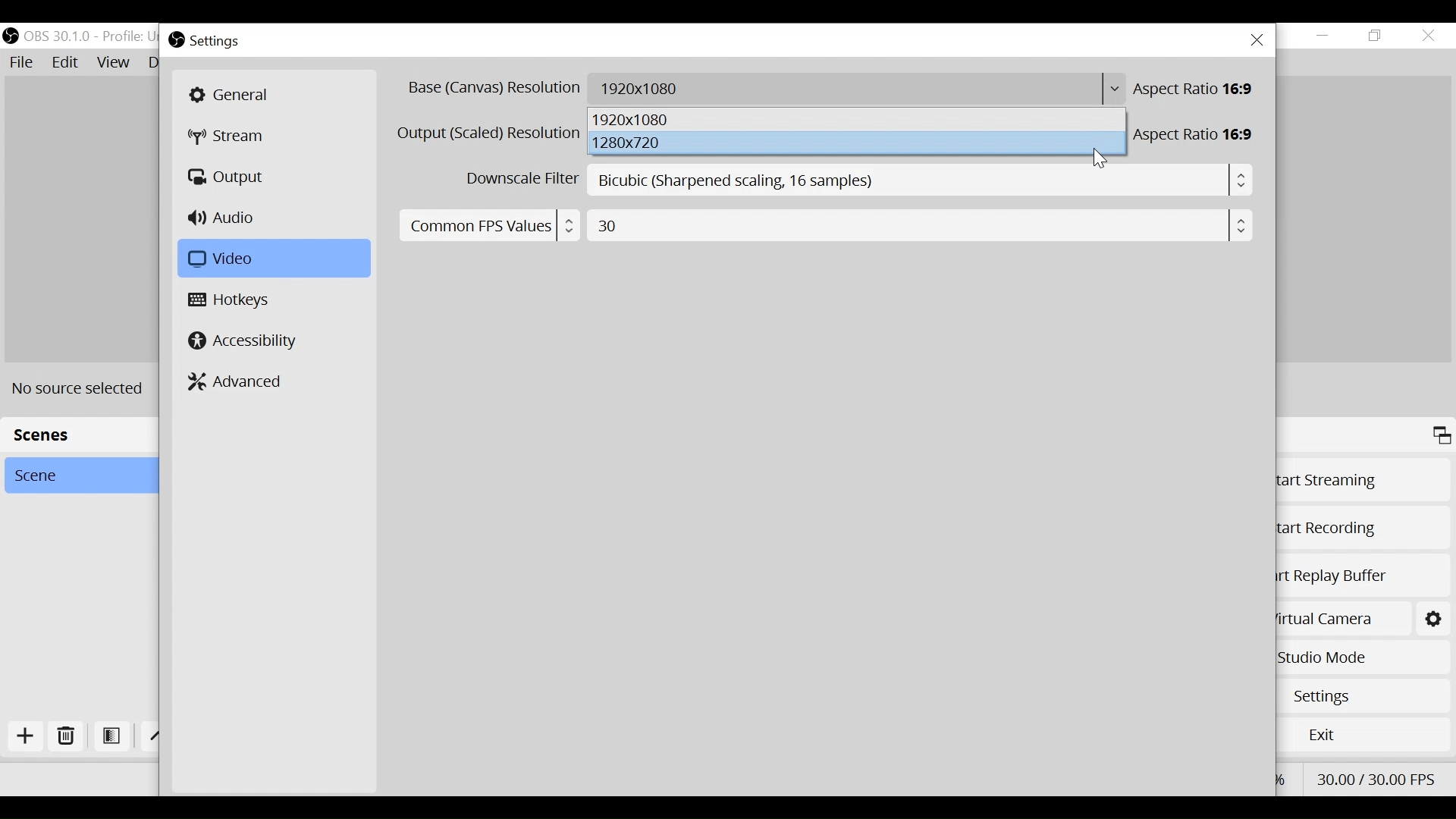 This screenshot has height=819, width=1456. Describe the element at coordinates (30, 739) in the screenshot. I see `Add Scene` at that location.